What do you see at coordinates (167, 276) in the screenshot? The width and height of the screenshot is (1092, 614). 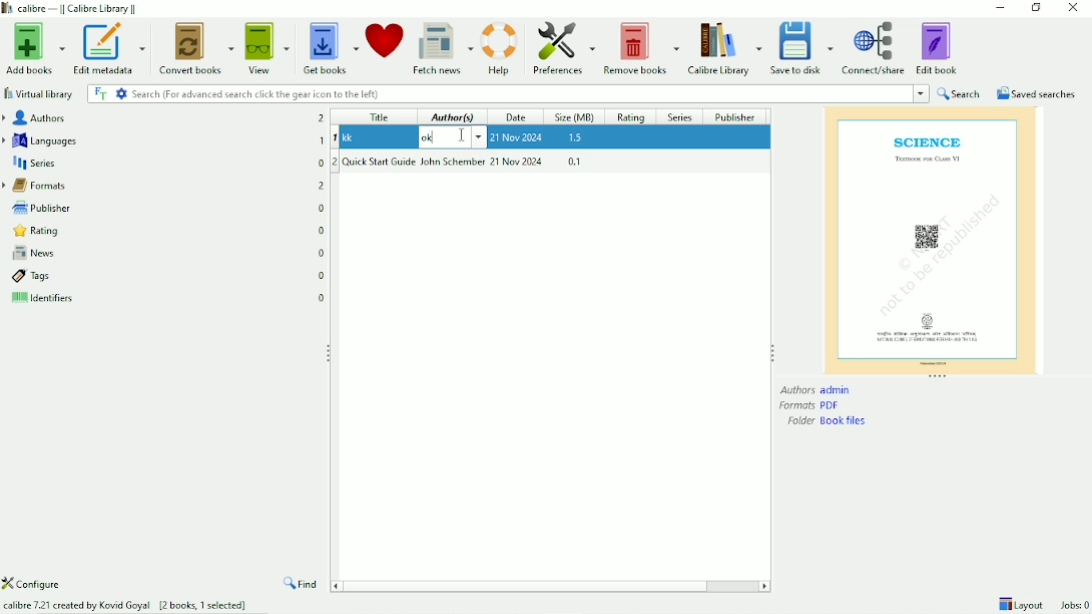 I see `Tags` at bounding box center [167, 276].